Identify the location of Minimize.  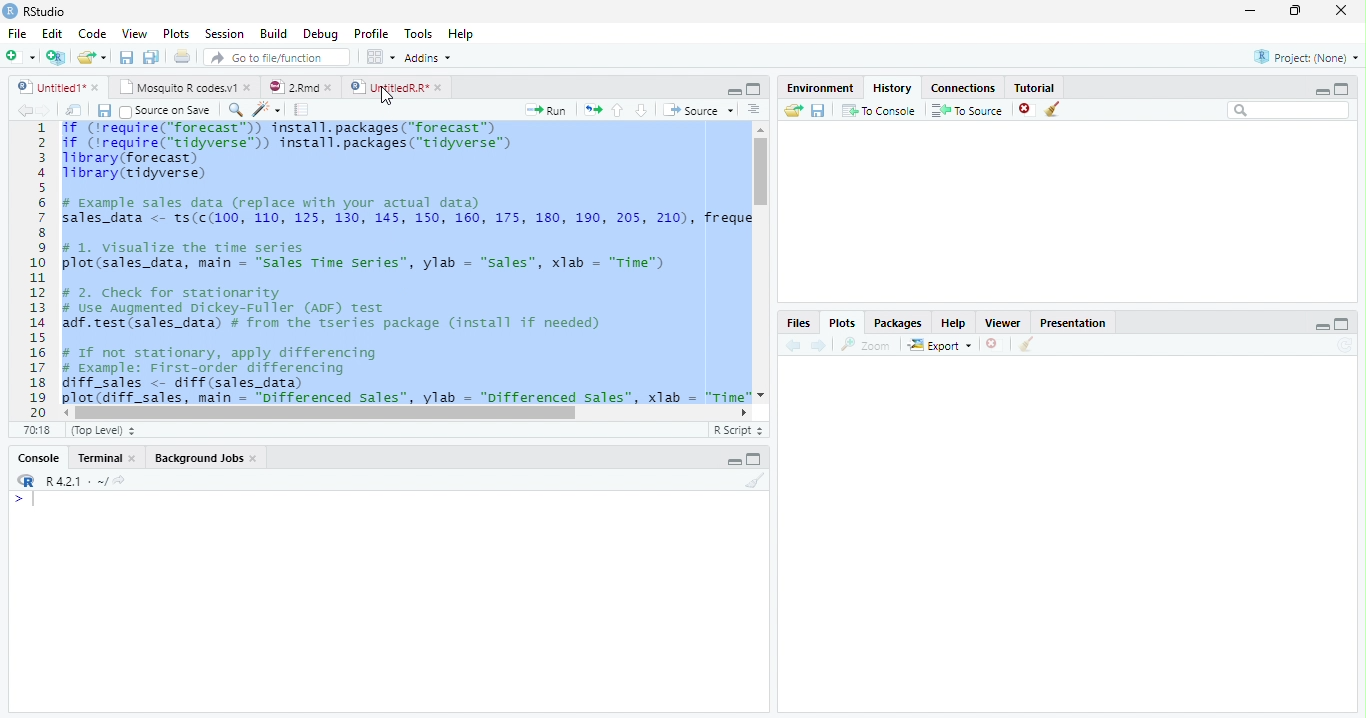
(1252, 10).